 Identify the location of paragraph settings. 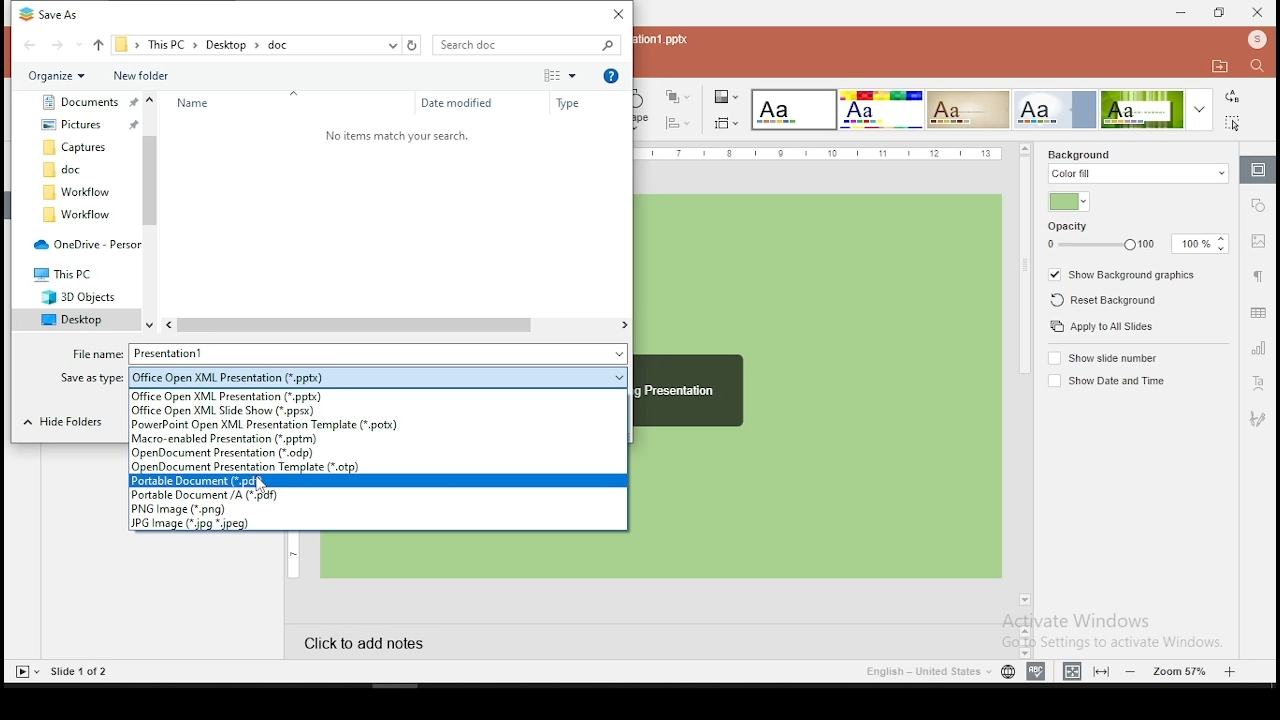
(1260, 280).